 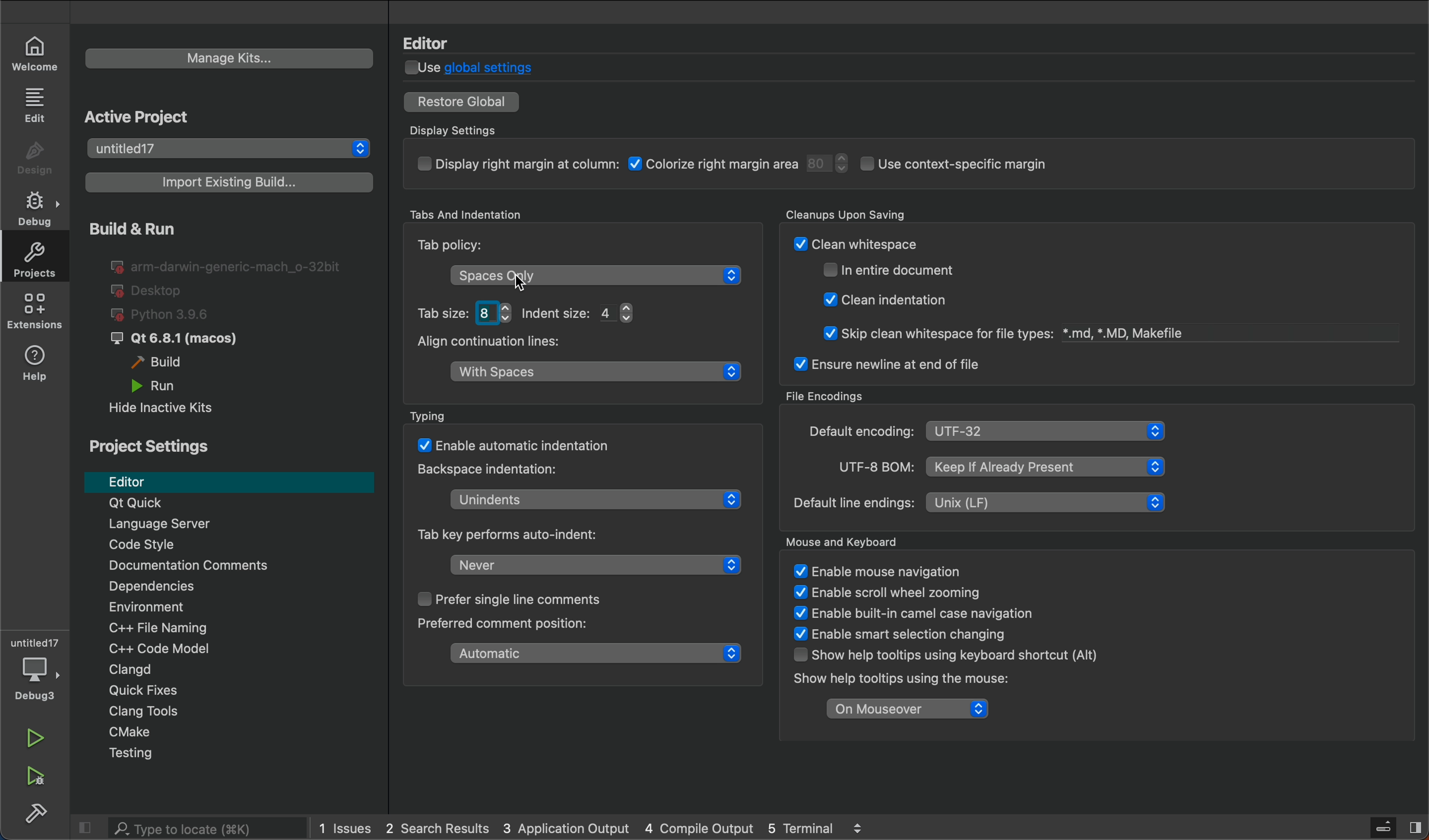 What do you see at coordinates (435, 42) in the screenshot?
I see `Editor` at bounding box center [435, 42].